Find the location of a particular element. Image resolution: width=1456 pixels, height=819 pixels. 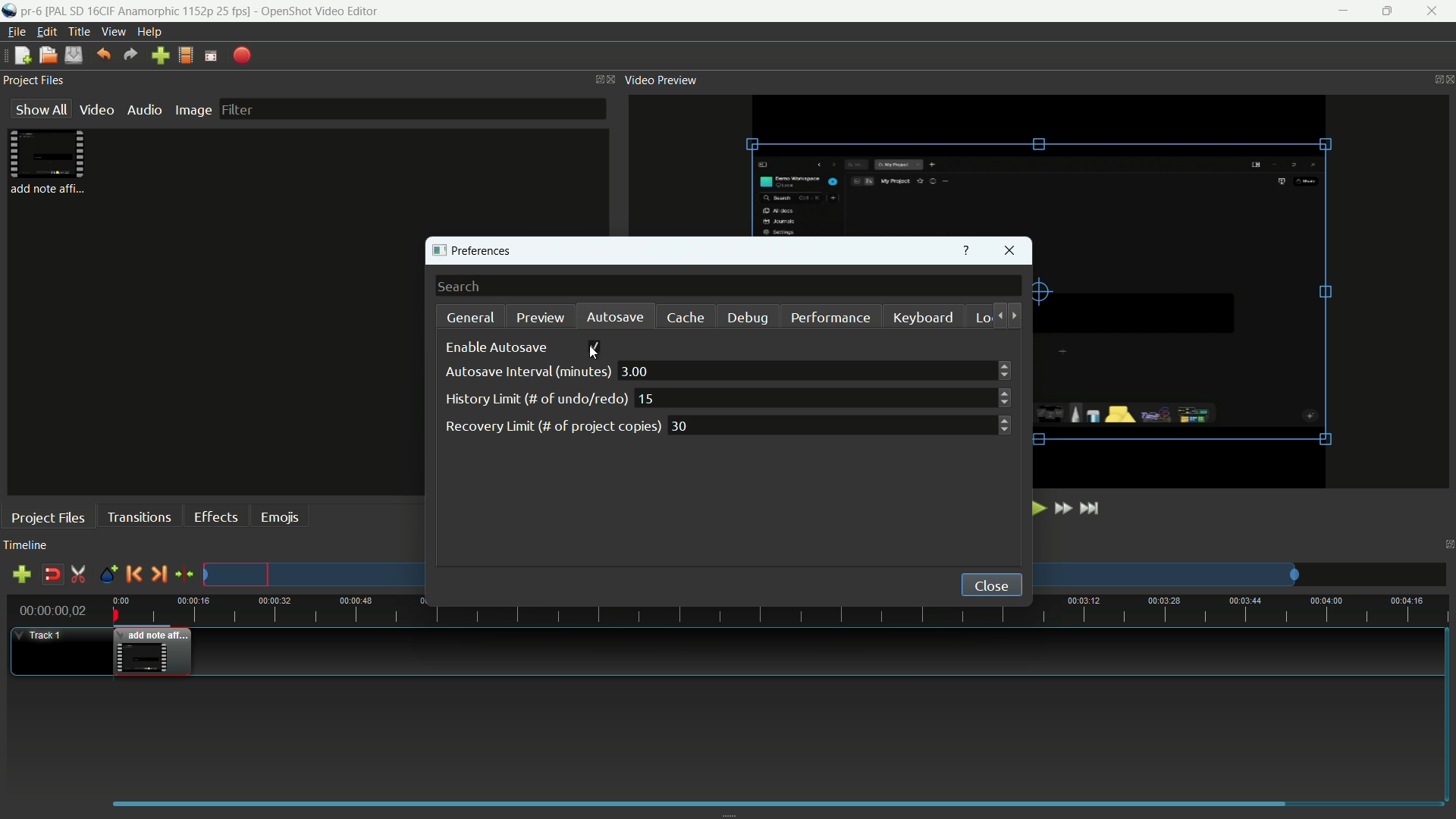

center the timeline on the playhead is located at coordinates (184, 573).